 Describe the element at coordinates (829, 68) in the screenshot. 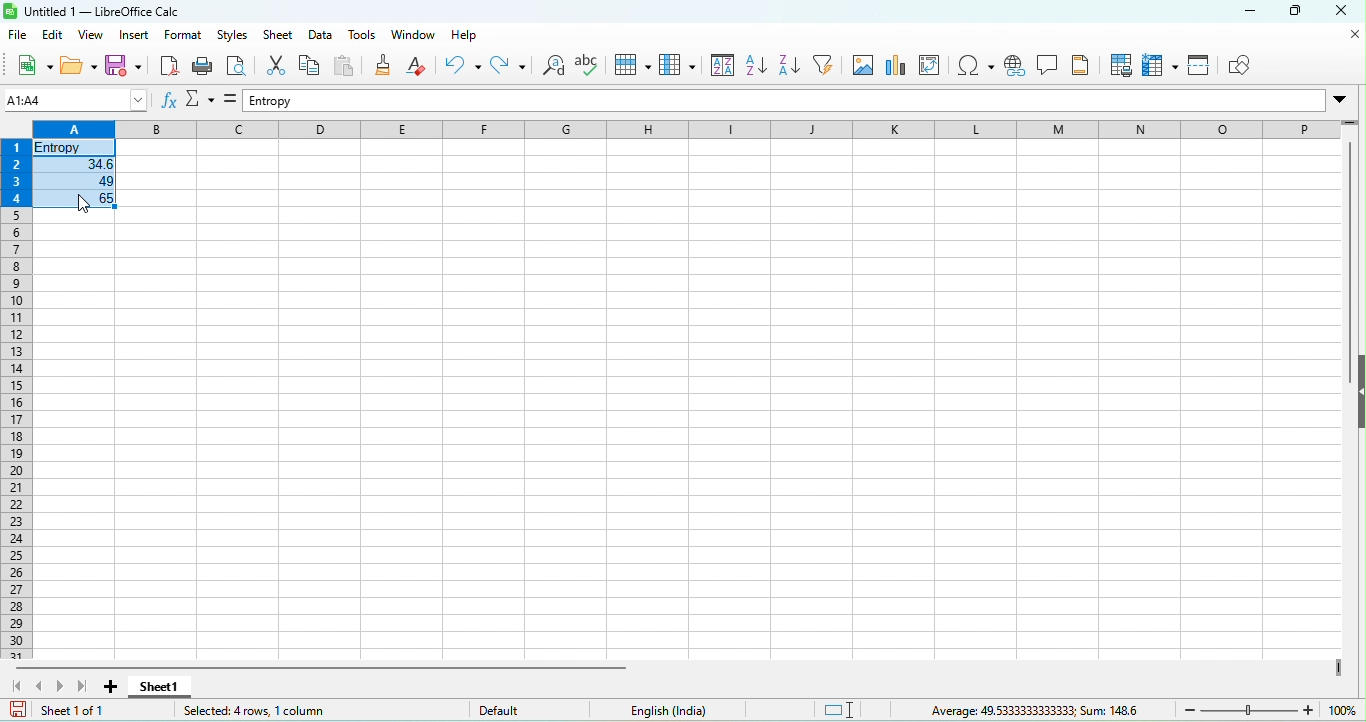

I see `auto filter` at that location.